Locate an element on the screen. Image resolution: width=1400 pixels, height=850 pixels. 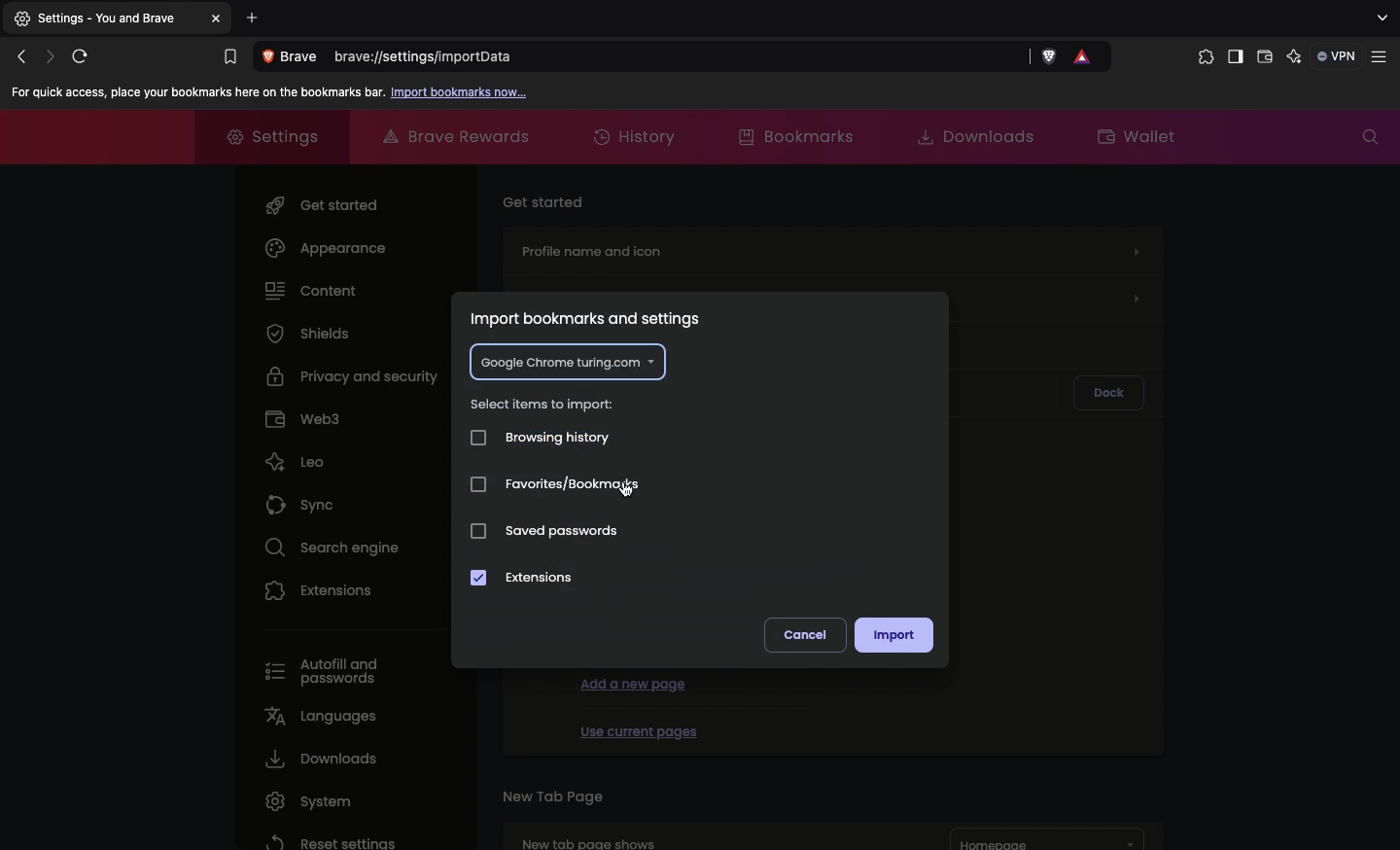
Cancel is located at coordinates (805, 637).